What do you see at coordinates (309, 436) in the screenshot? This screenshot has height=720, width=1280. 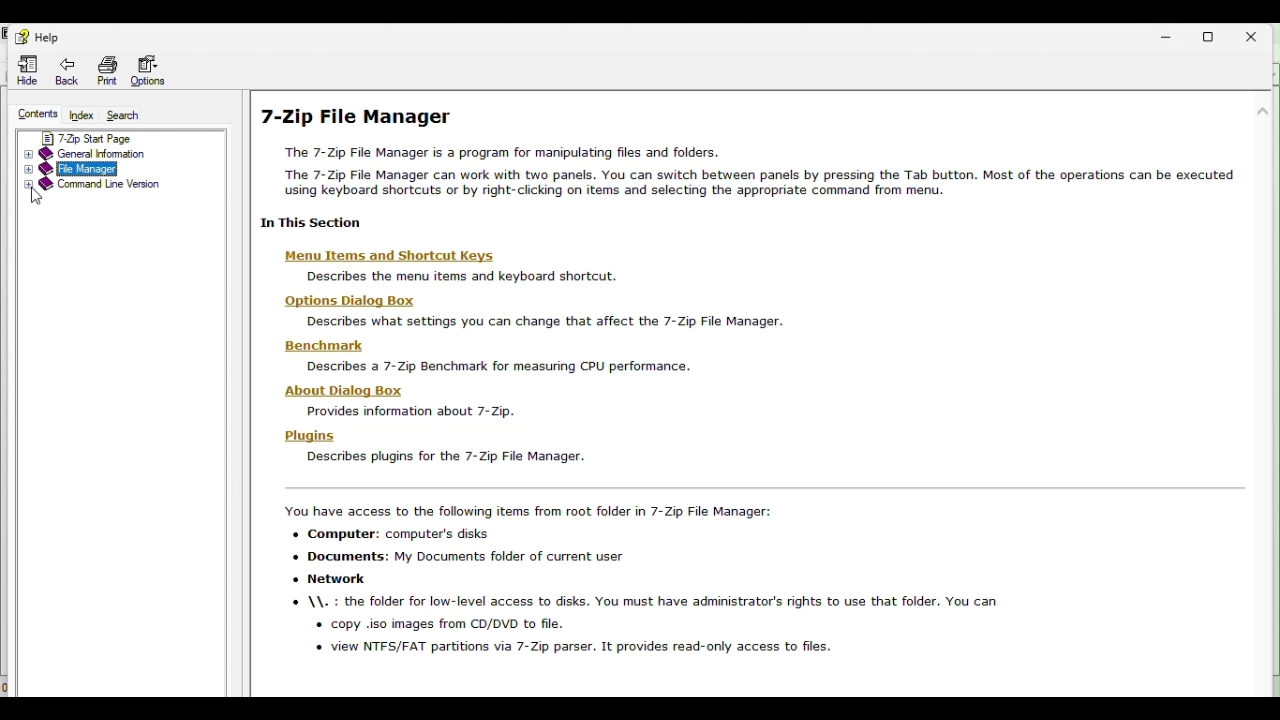 I see `Plugins` at bounding box center [309, 436].